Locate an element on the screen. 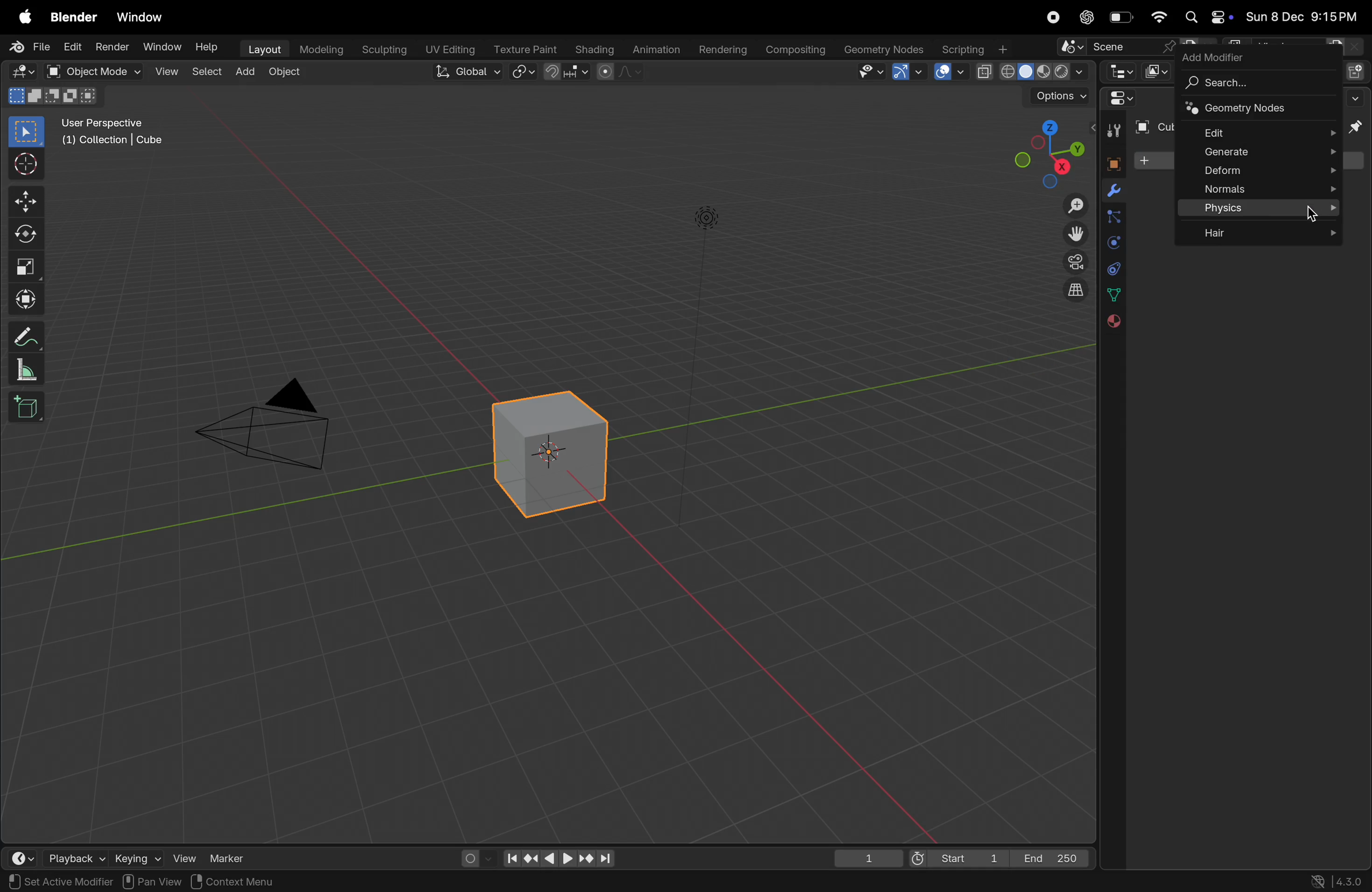 The width and height of the screenshot is (1372, 892). add cube is located at coordinates (27, 409).